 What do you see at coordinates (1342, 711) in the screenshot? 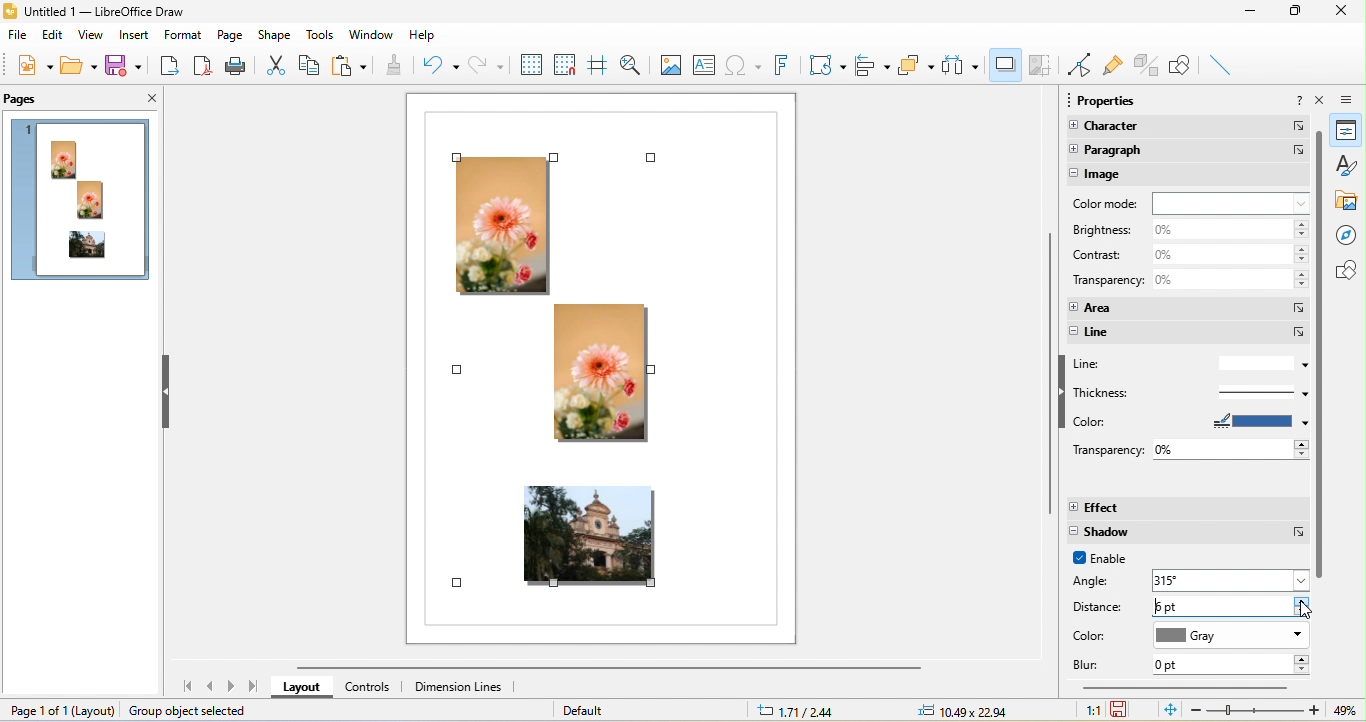
I see `49%` at bounding box center [1342, 711].